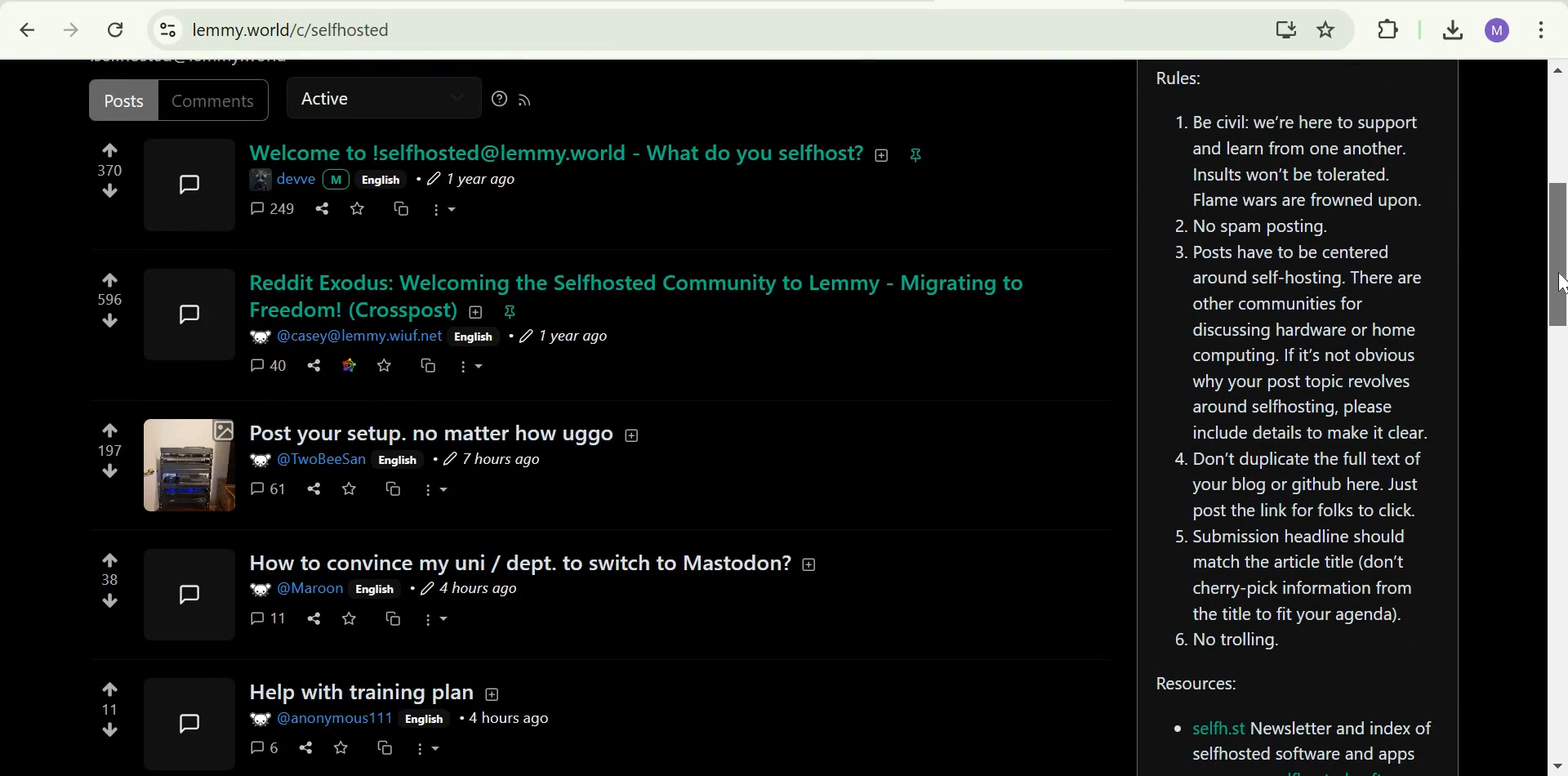 The image size is (1568, 776). What do you see at coordinates (71, 29) in the screenshot?
I see `Click ti go forward, hold to see history` at bounding box center [71, 29].